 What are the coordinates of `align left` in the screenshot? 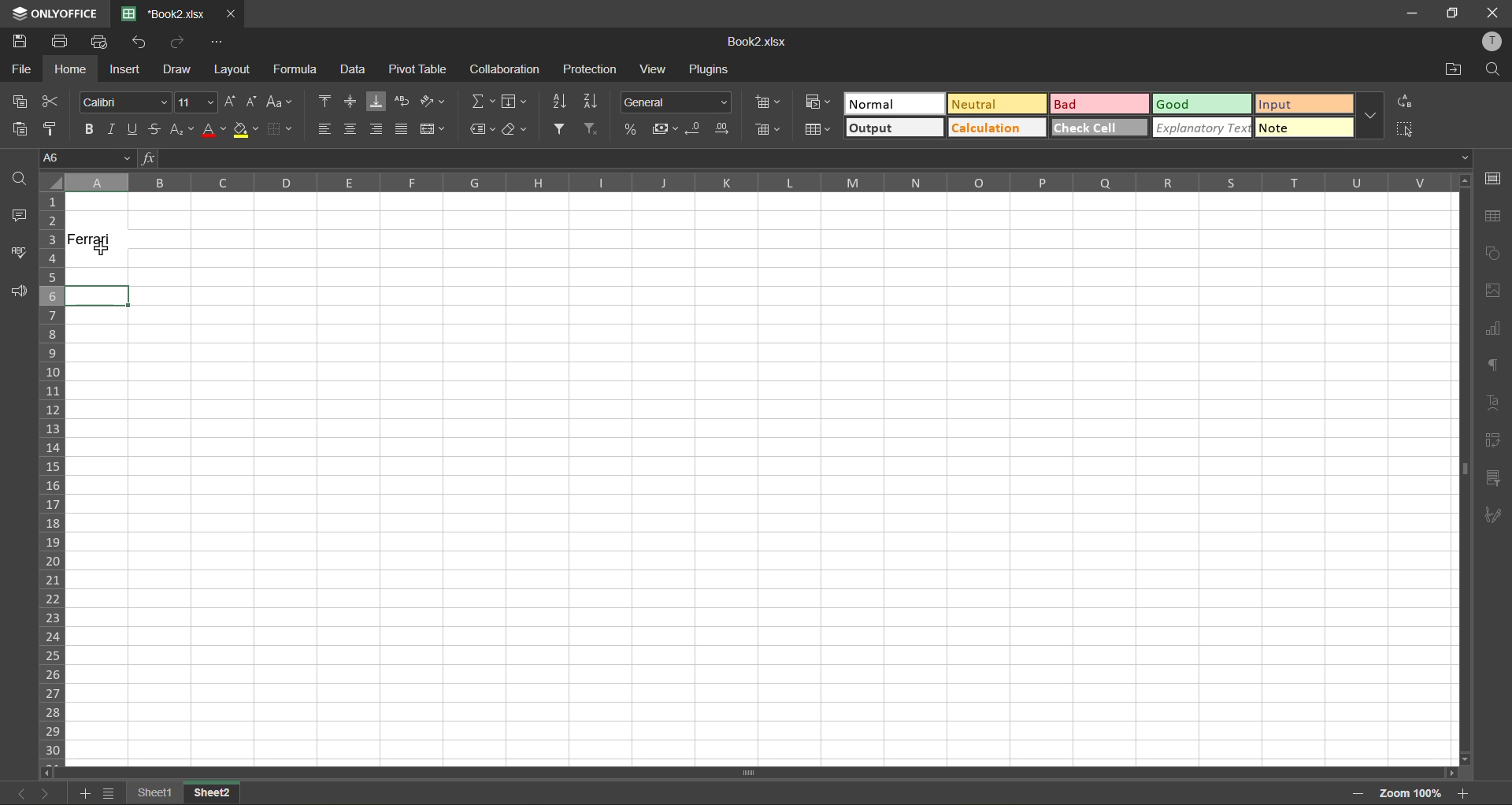 It's located at (325, 129).